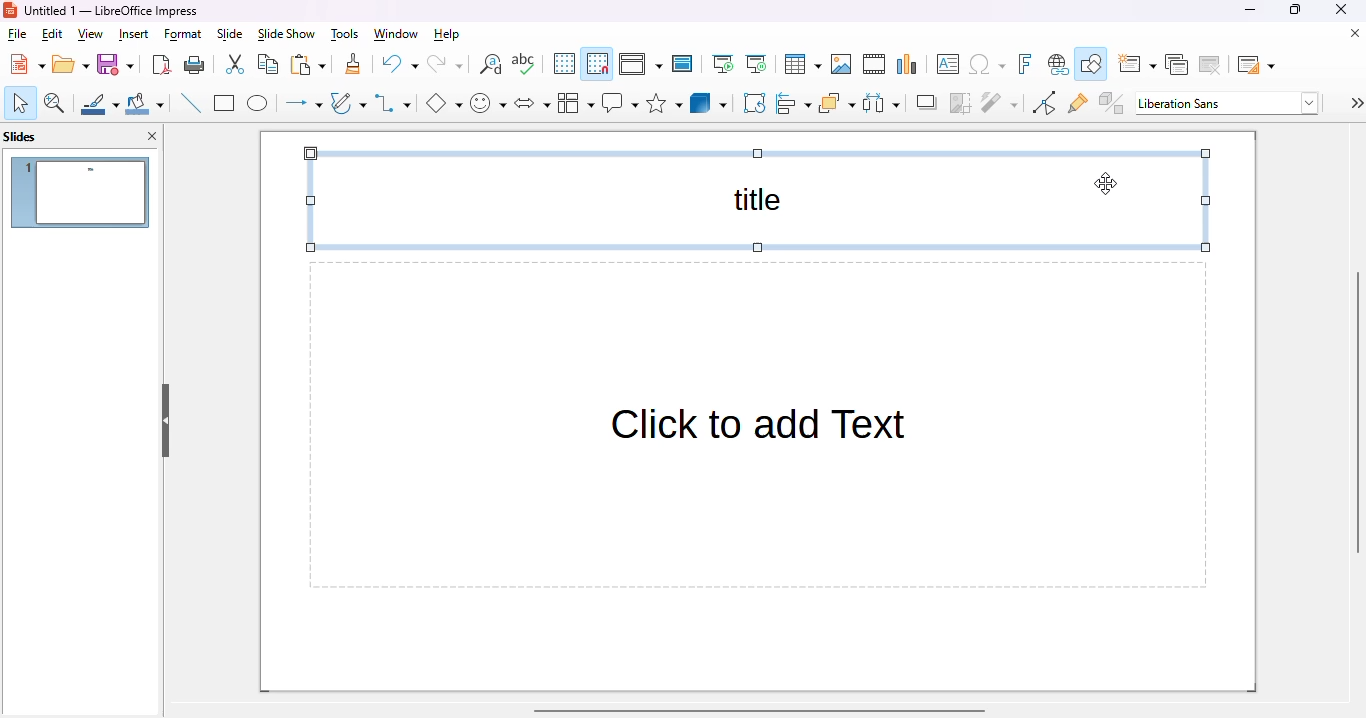 Image resolution: width=1366 pixels, height=718 pixels. What do you see at coordinates (1026, 63) in the screenshot?
I see `insert fontwork text` at bounding box center [1026, 63].